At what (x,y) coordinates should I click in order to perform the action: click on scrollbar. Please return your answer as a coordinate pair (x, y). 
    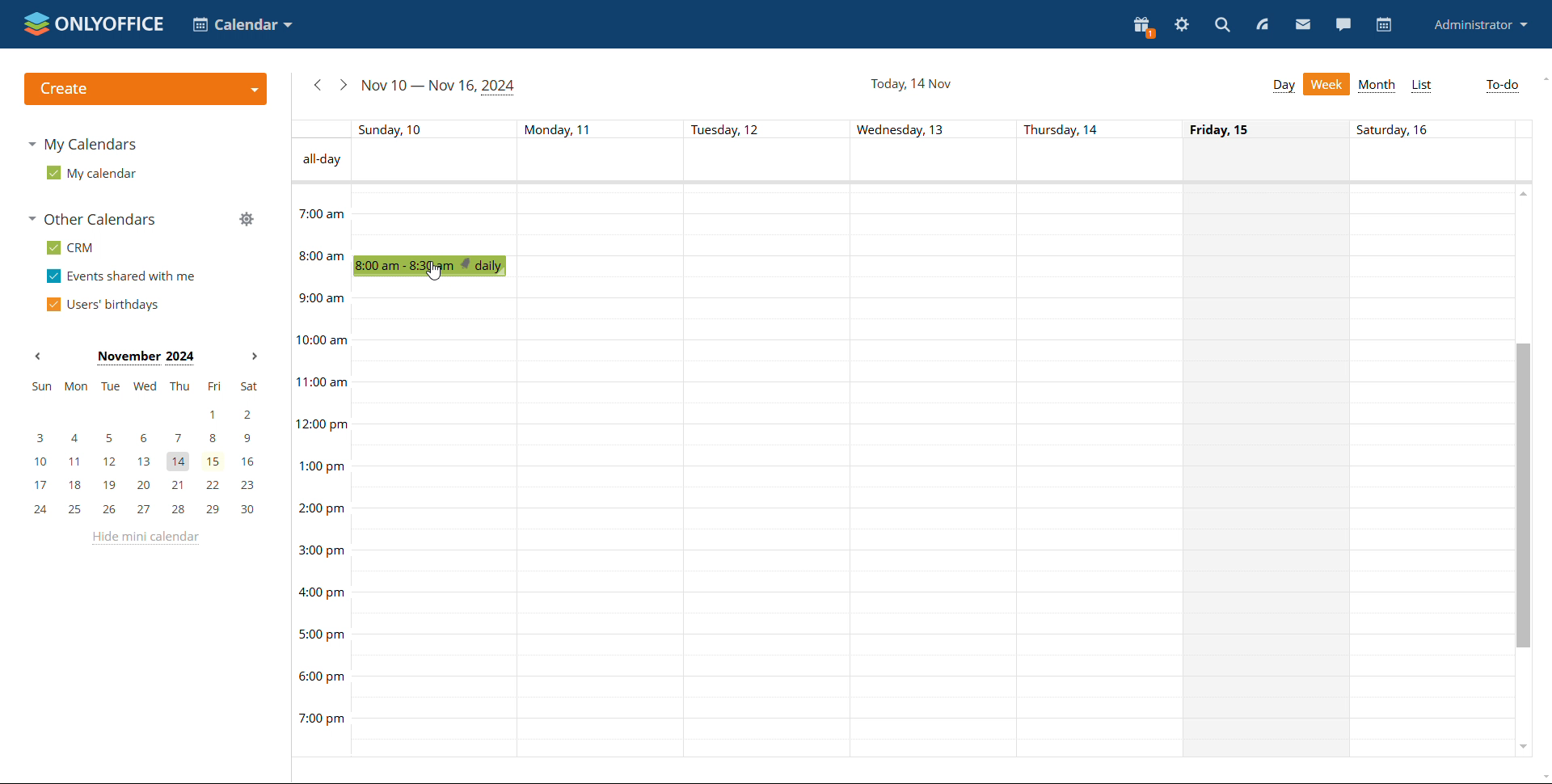
    Looking at the image, I should click on (1521, 495).